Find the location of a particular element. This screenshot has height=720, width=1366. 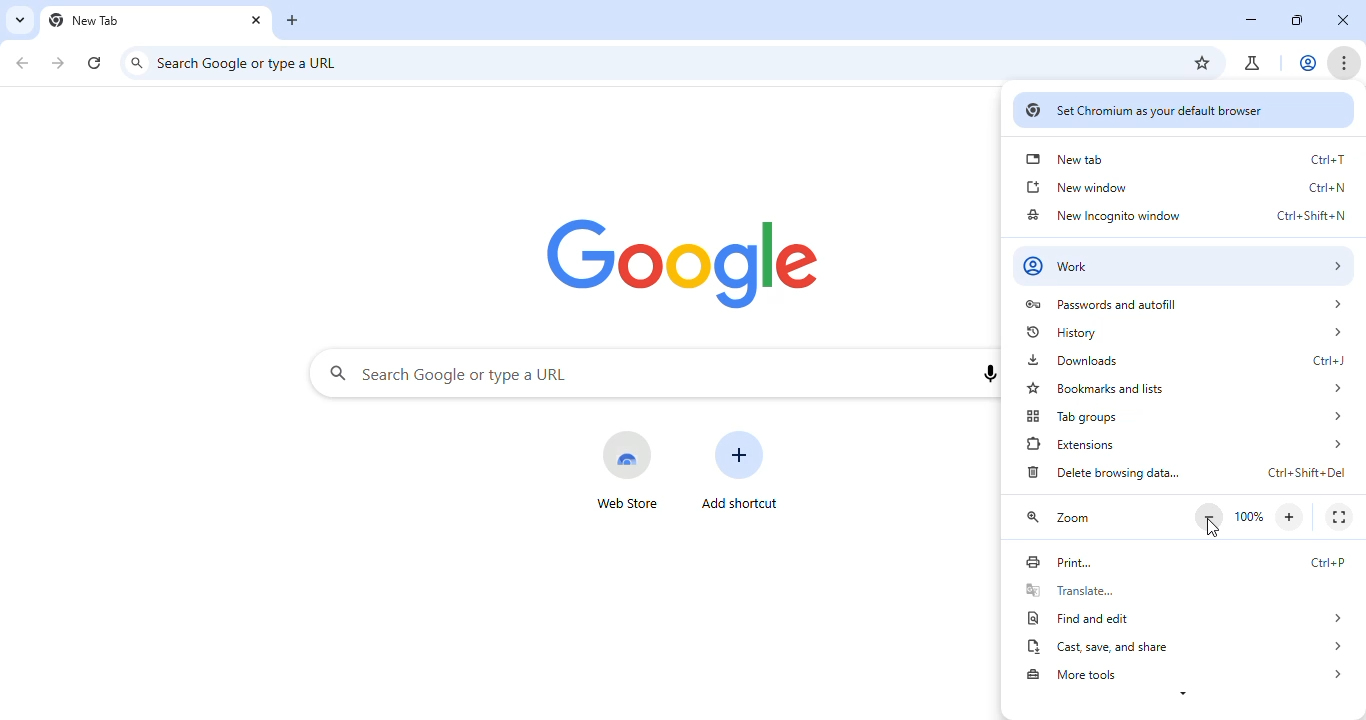

close is located at coordinates (256, 20).